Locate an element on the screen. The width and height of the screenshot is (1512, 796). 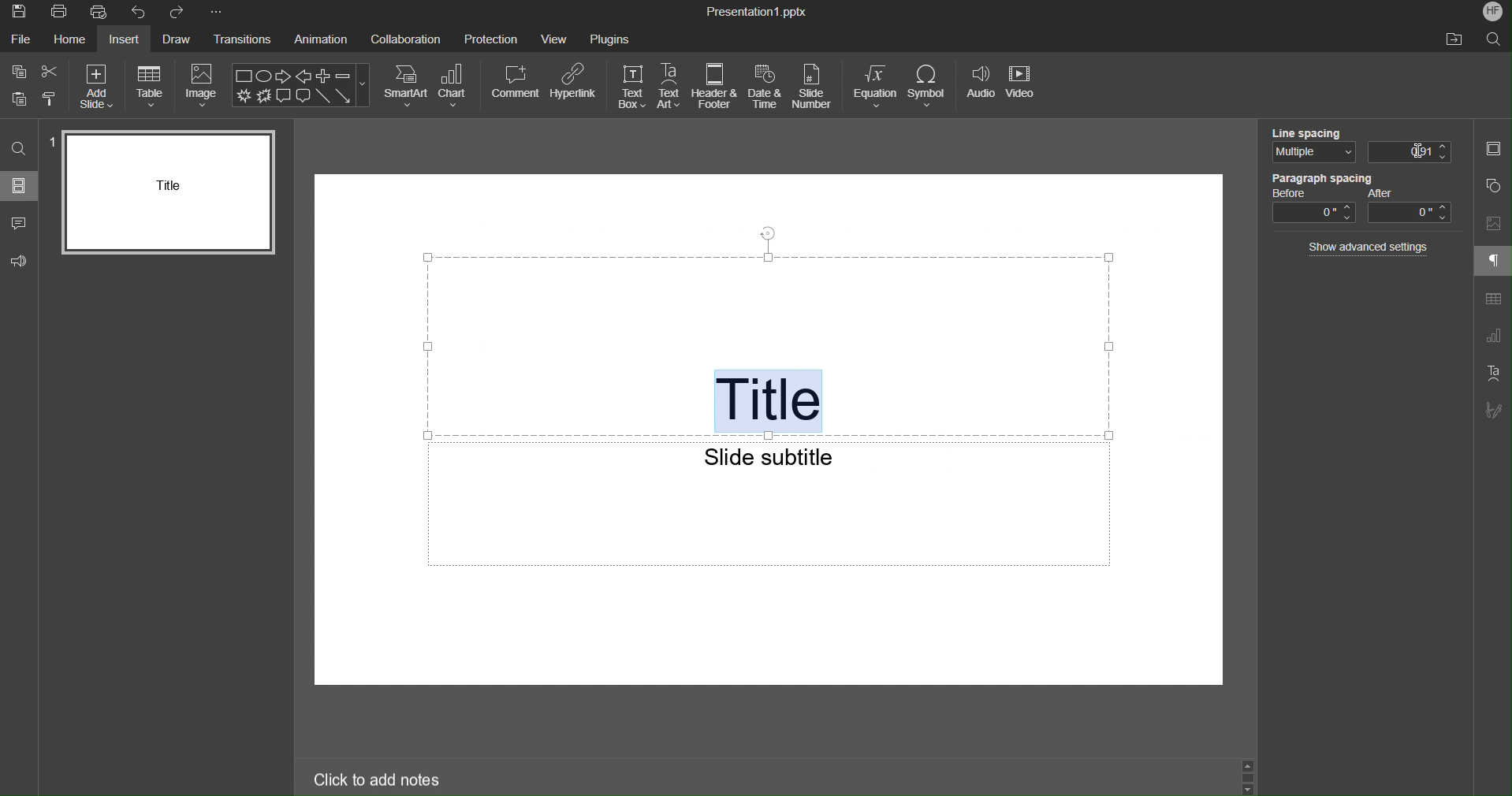
Signature is located at coordinates (1492, 411).